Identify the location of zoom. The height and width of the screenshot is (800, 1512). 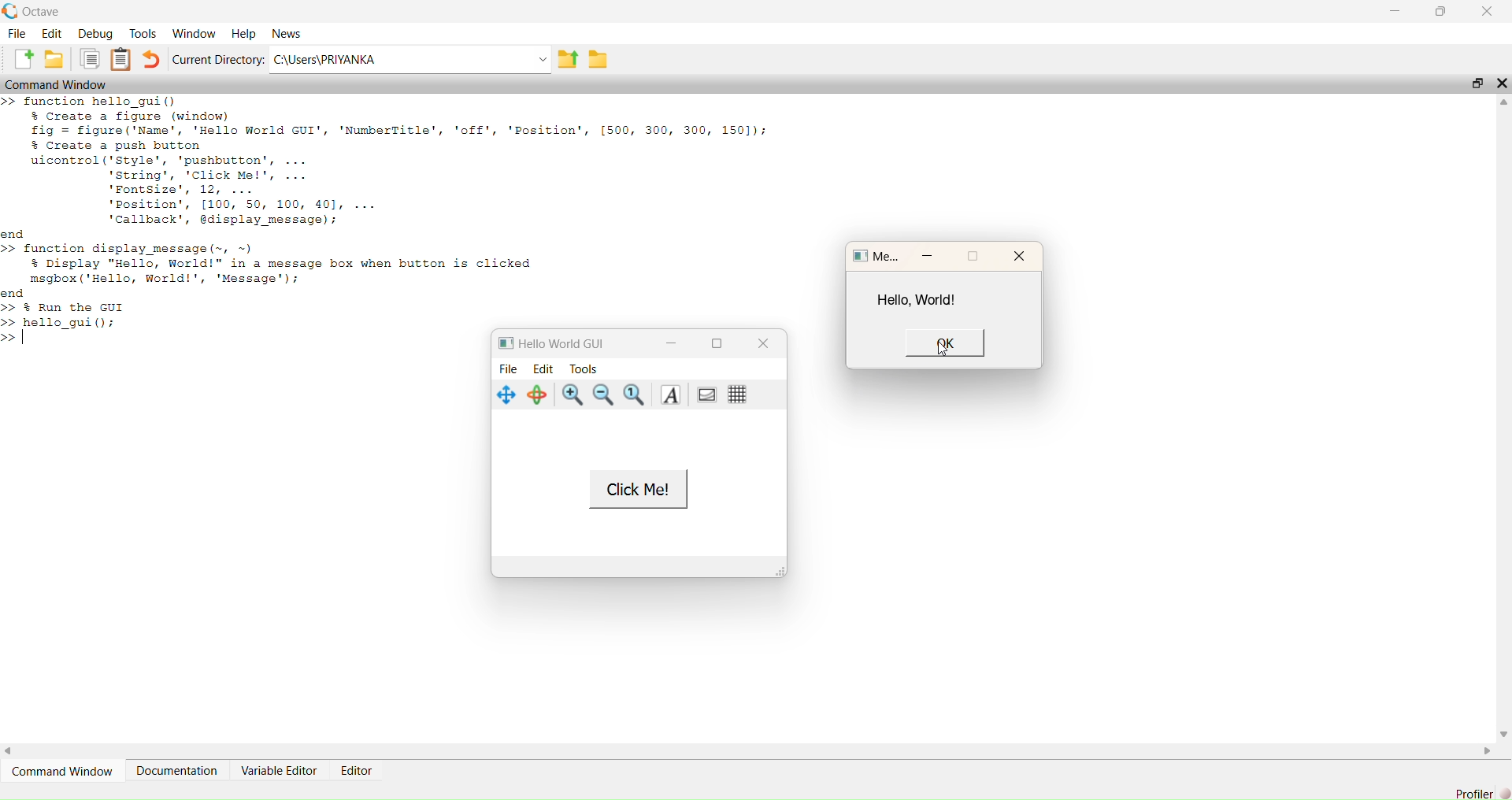
(634, 394).